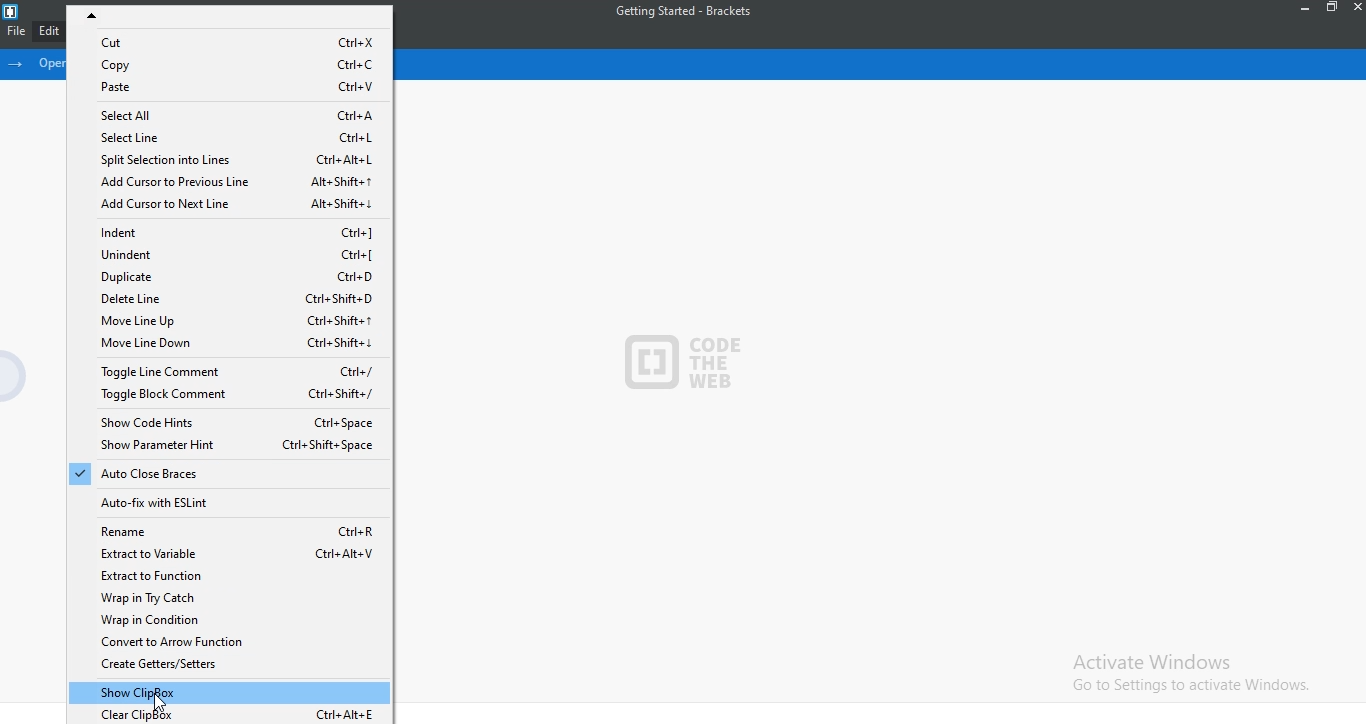 The image size is (1366, 724). Describe the element at coordinates (227, 159) in the screenshot. I see `Split selection into lines` at that location.